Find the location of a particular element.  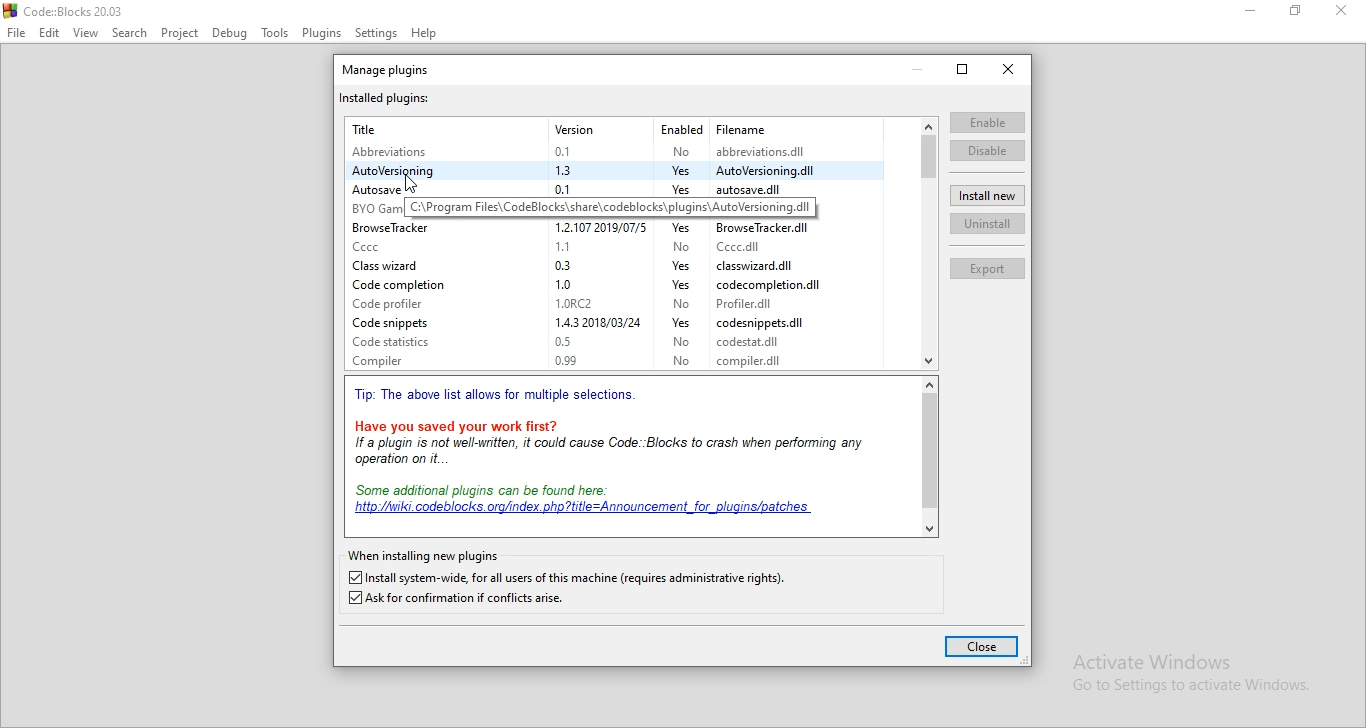

install system wide, for all users of the machine is located at coordinates (570, 577).